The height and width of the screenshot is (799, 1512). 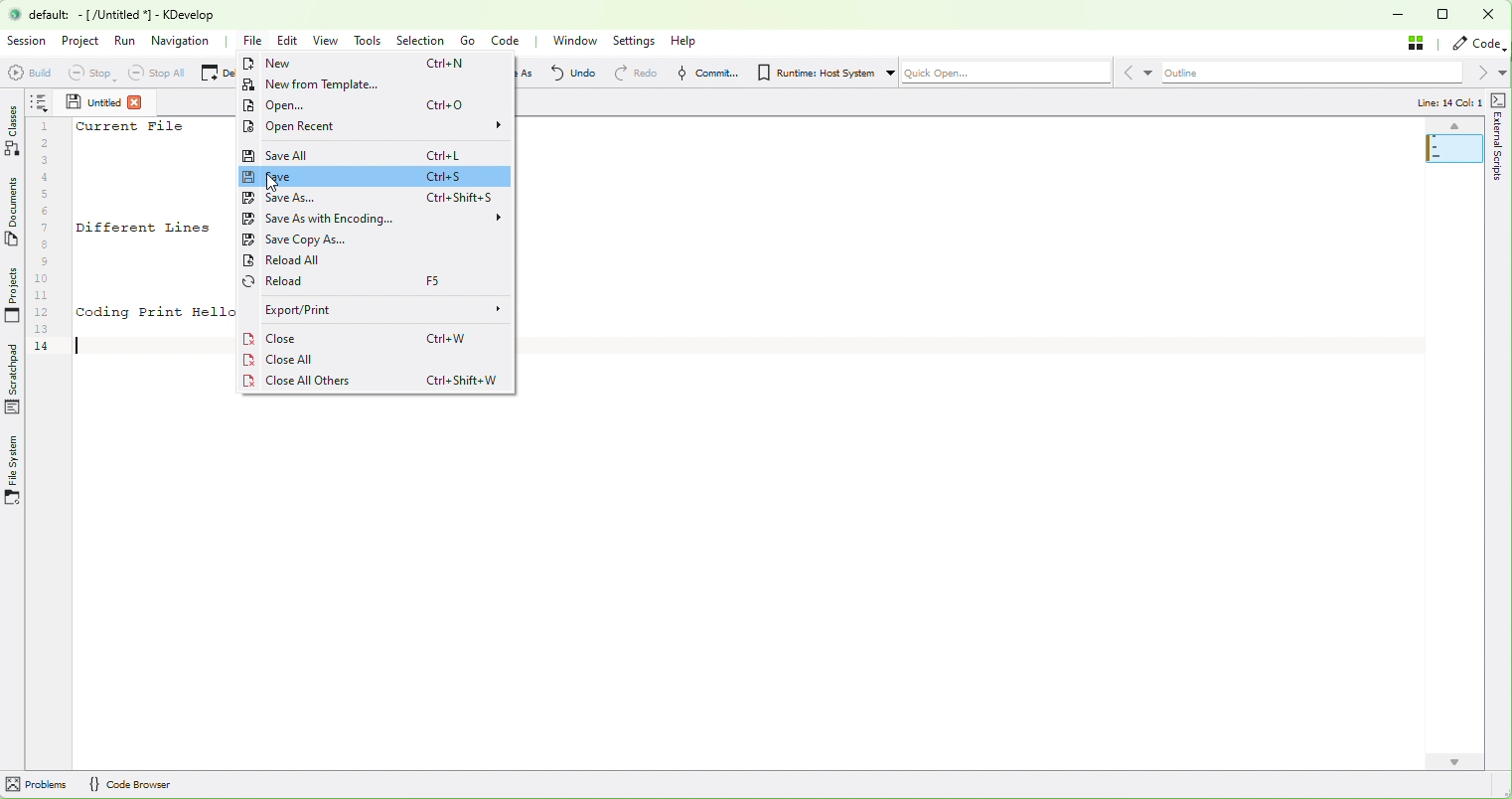 I want to click on Selection, so click(x=424, y=41).